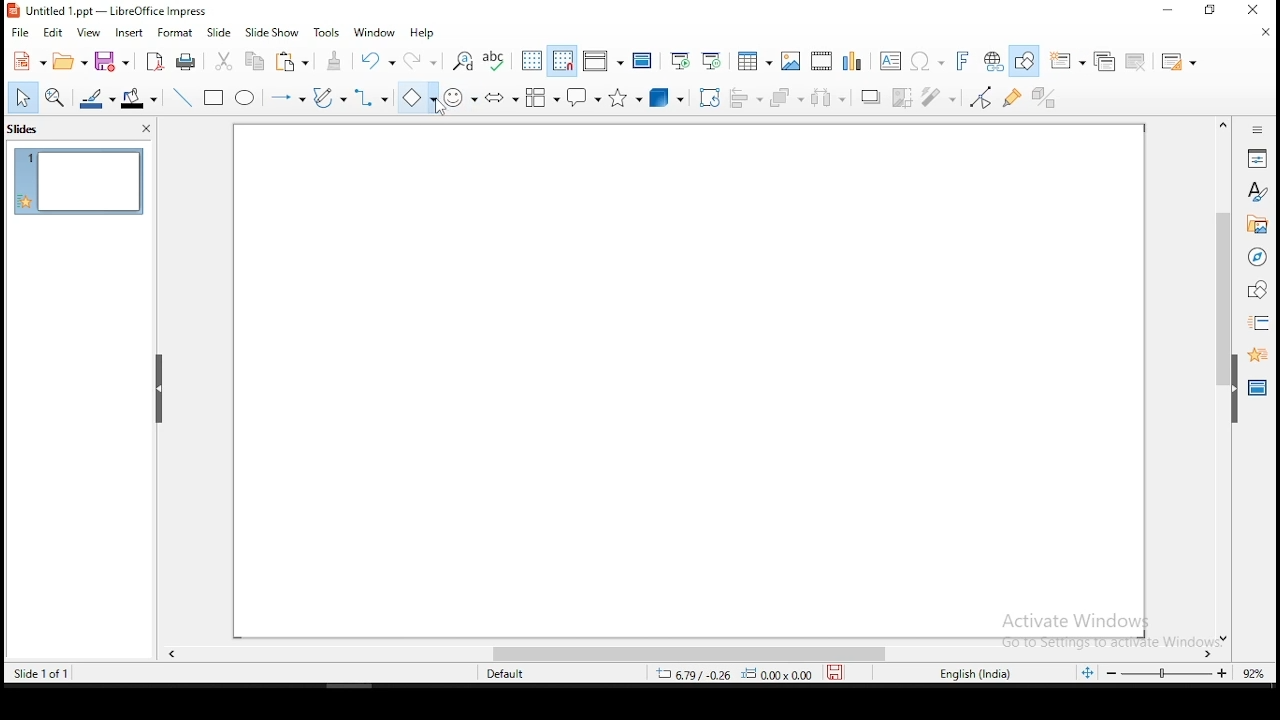  I want to click on acrobat as pdf, so click(155, 62).